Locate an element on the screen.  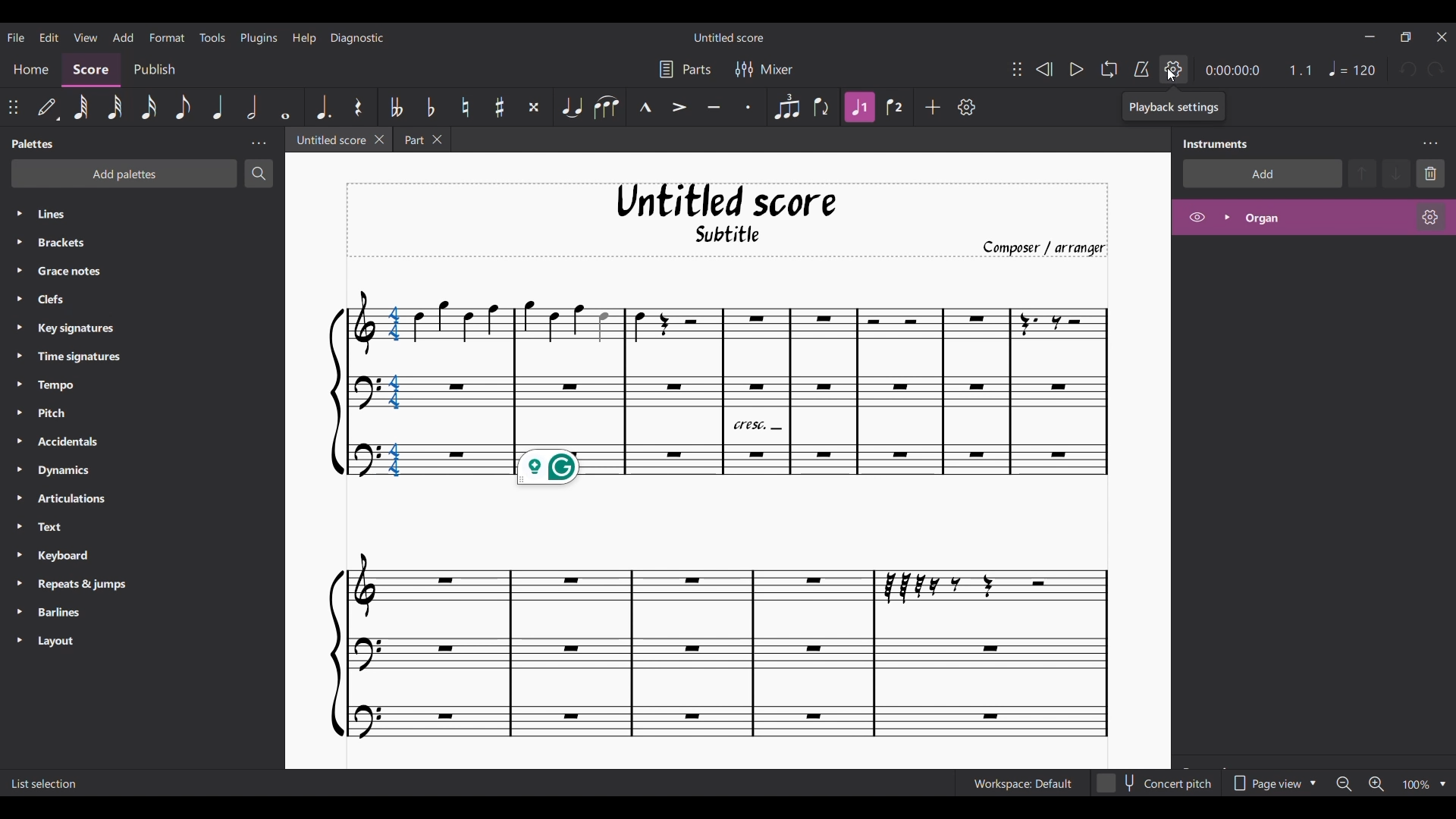
Toggle double flat is located at coordinates (397, 107).